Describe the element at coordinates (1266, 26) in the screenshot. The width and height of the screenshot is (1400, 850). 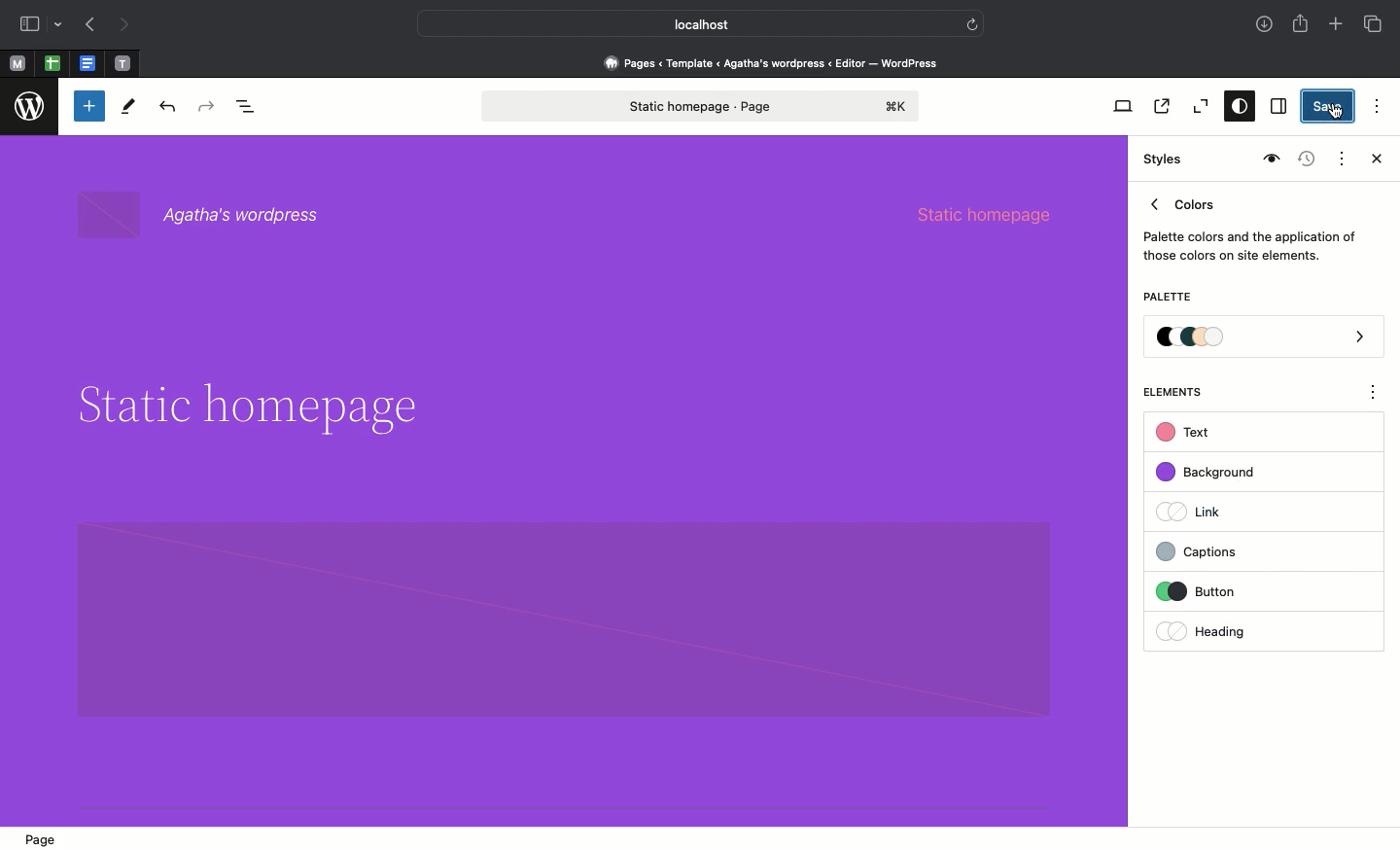
I see `Downloads` at that location.